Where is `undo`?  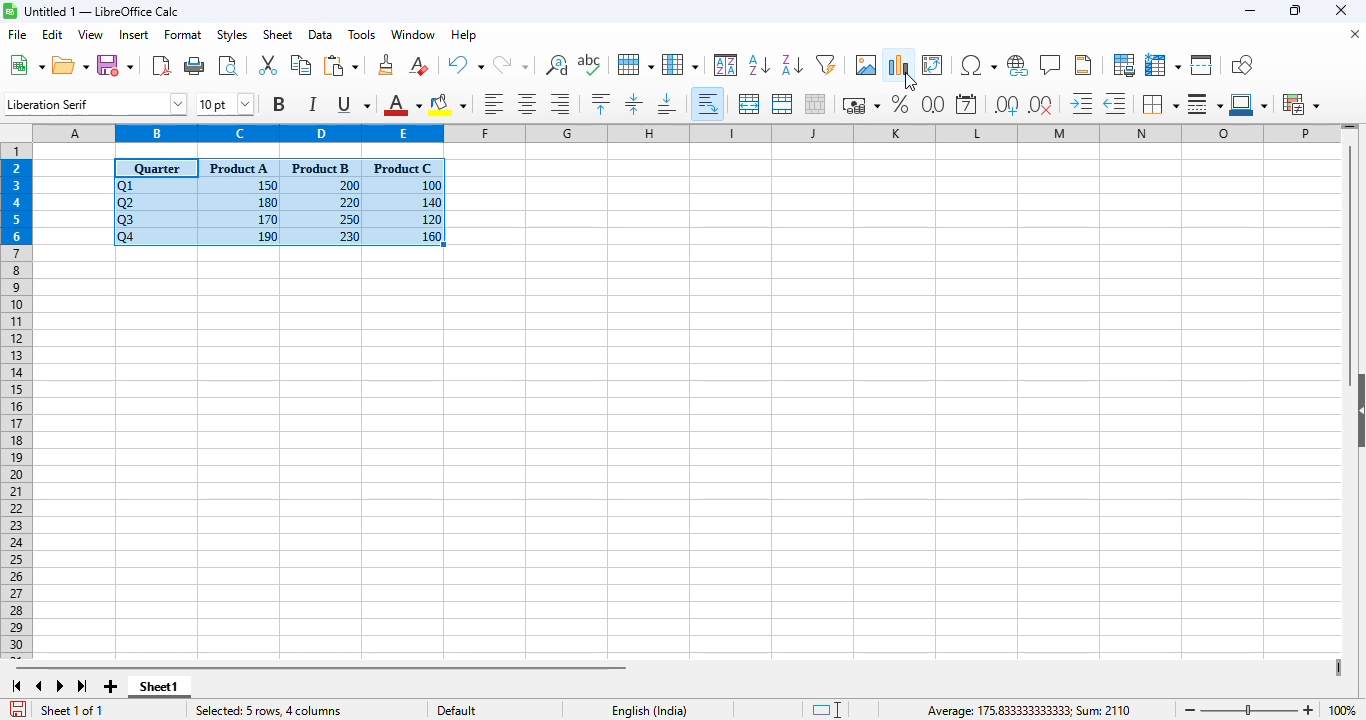
undo is located at coordinates (465, 65).